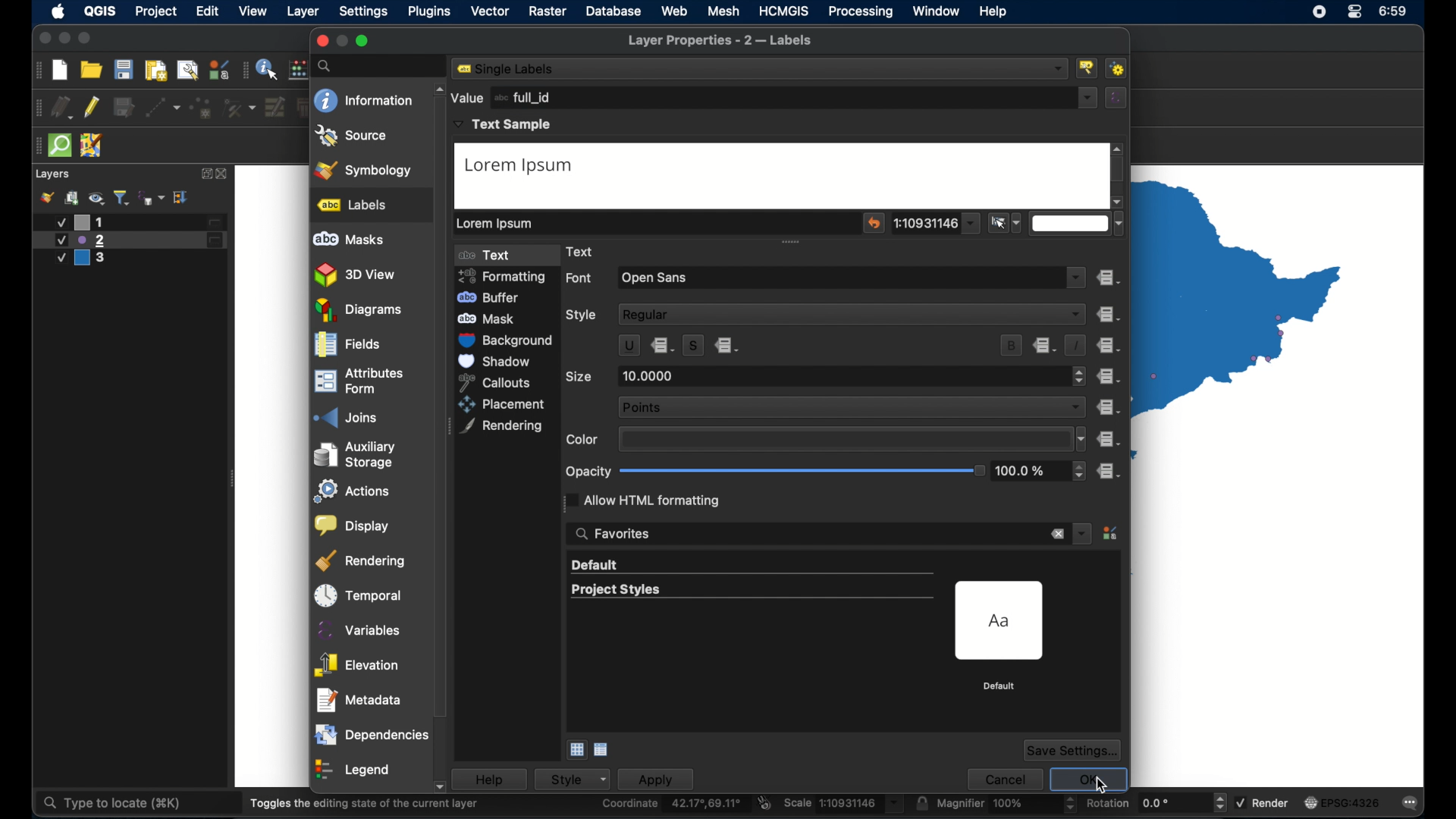  What do you see at coordinates (497, 779) in the screenshot?
I see `help` at bounding box center [497, 779].